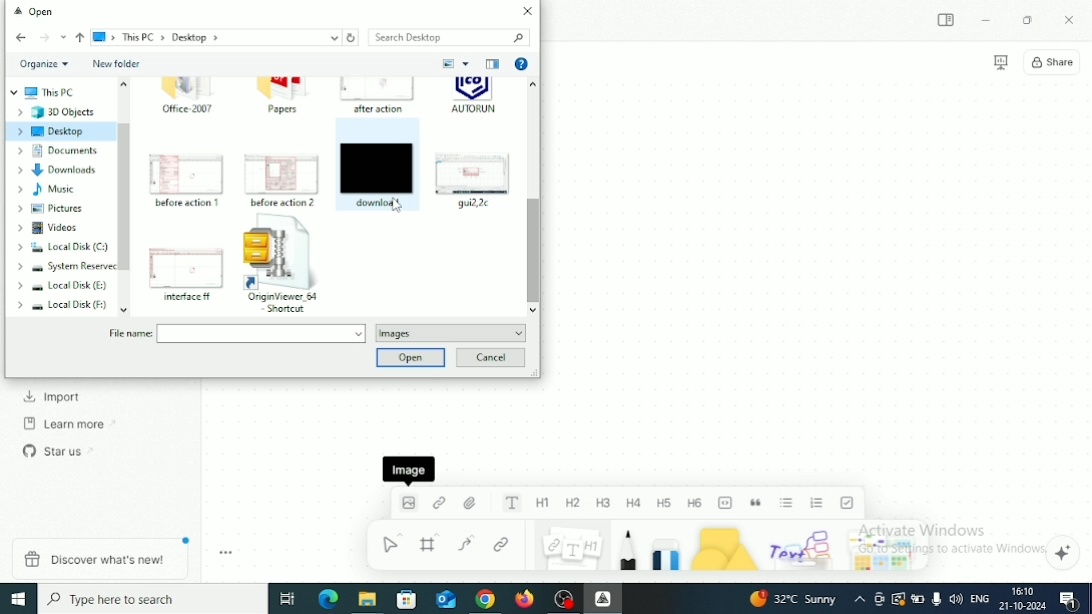 The height and width of the screenshot is (614, 1092). I want to click on Firefox, so click(526, 600).